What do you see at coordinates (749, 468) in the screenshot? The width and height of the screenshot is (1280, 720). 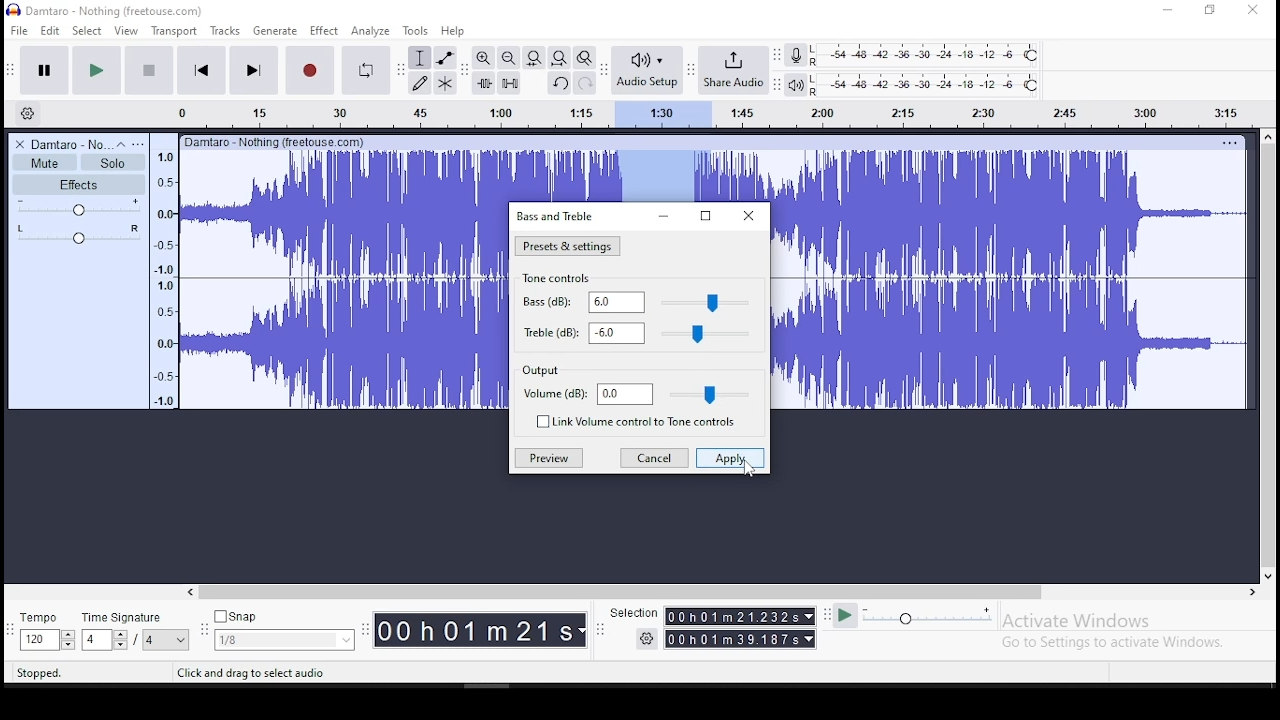 I see `Cursor` at bounding box center [749, 468].